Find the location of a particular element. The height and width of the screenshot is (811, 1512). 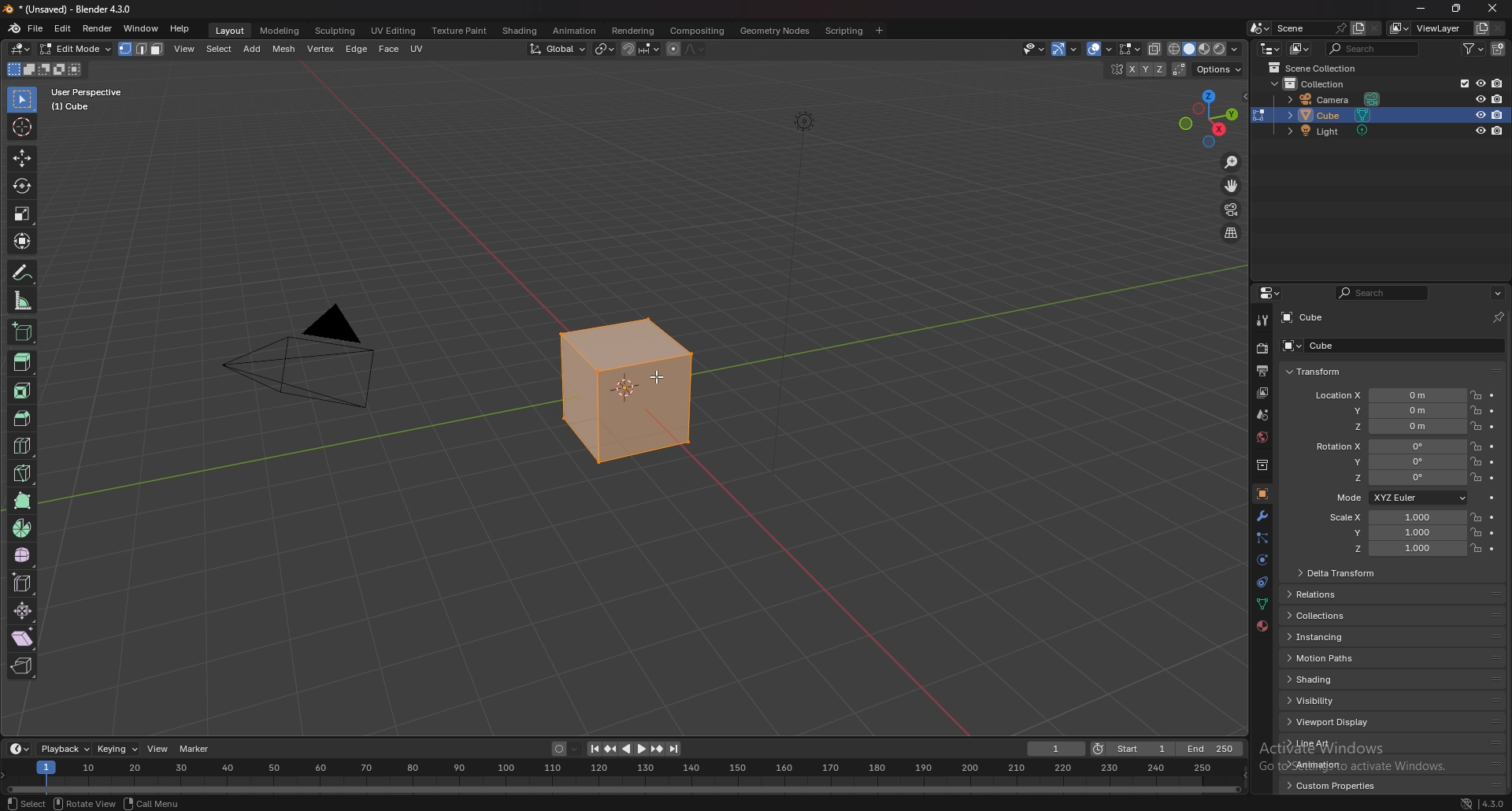

animate property is located at coordinates (1492, 427).